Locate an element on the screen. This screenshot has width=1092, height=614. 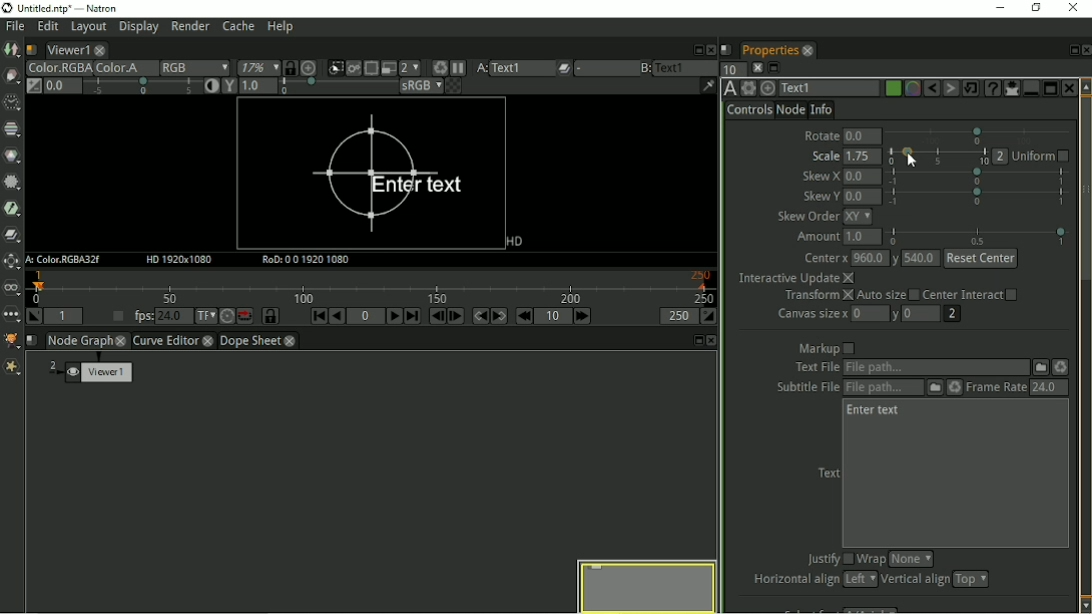
Previous frame is located at coordinates (437, 317).